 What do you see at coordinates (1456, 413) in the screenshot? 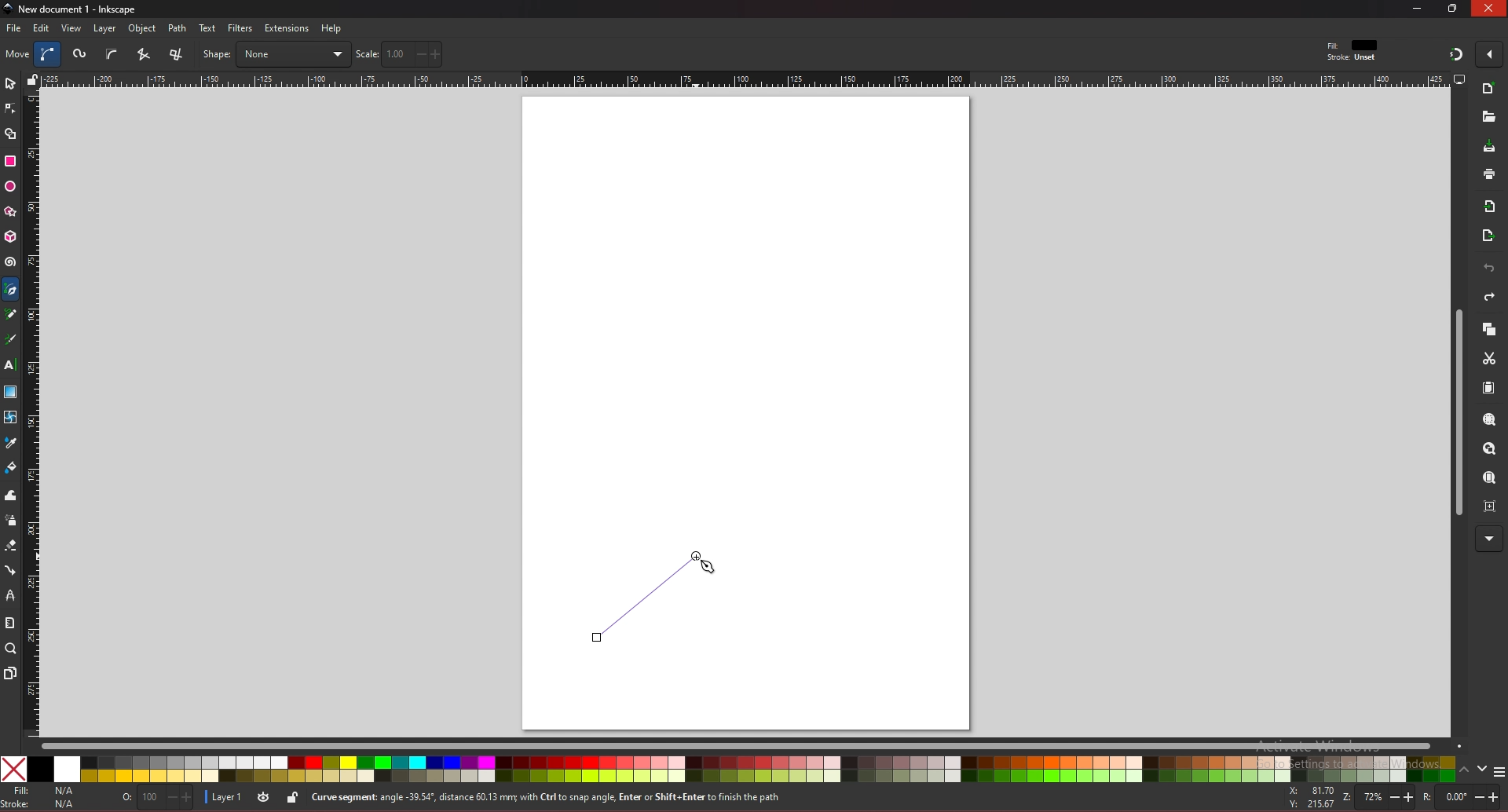
I see `scroll bar` at bounding box center [1456, 413].